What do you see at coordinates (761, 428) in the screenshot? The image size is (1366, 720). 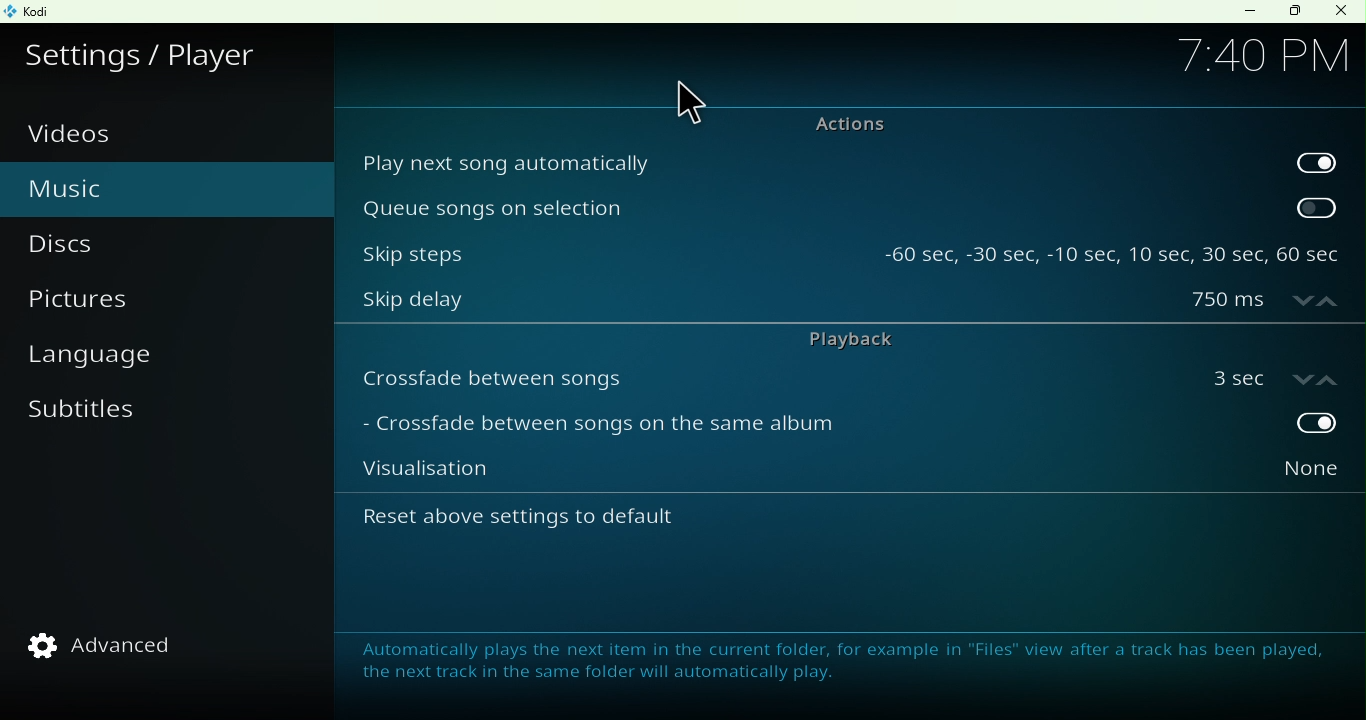 I see `Crossfade between songs on the same album` at bounding box center [761, 428].